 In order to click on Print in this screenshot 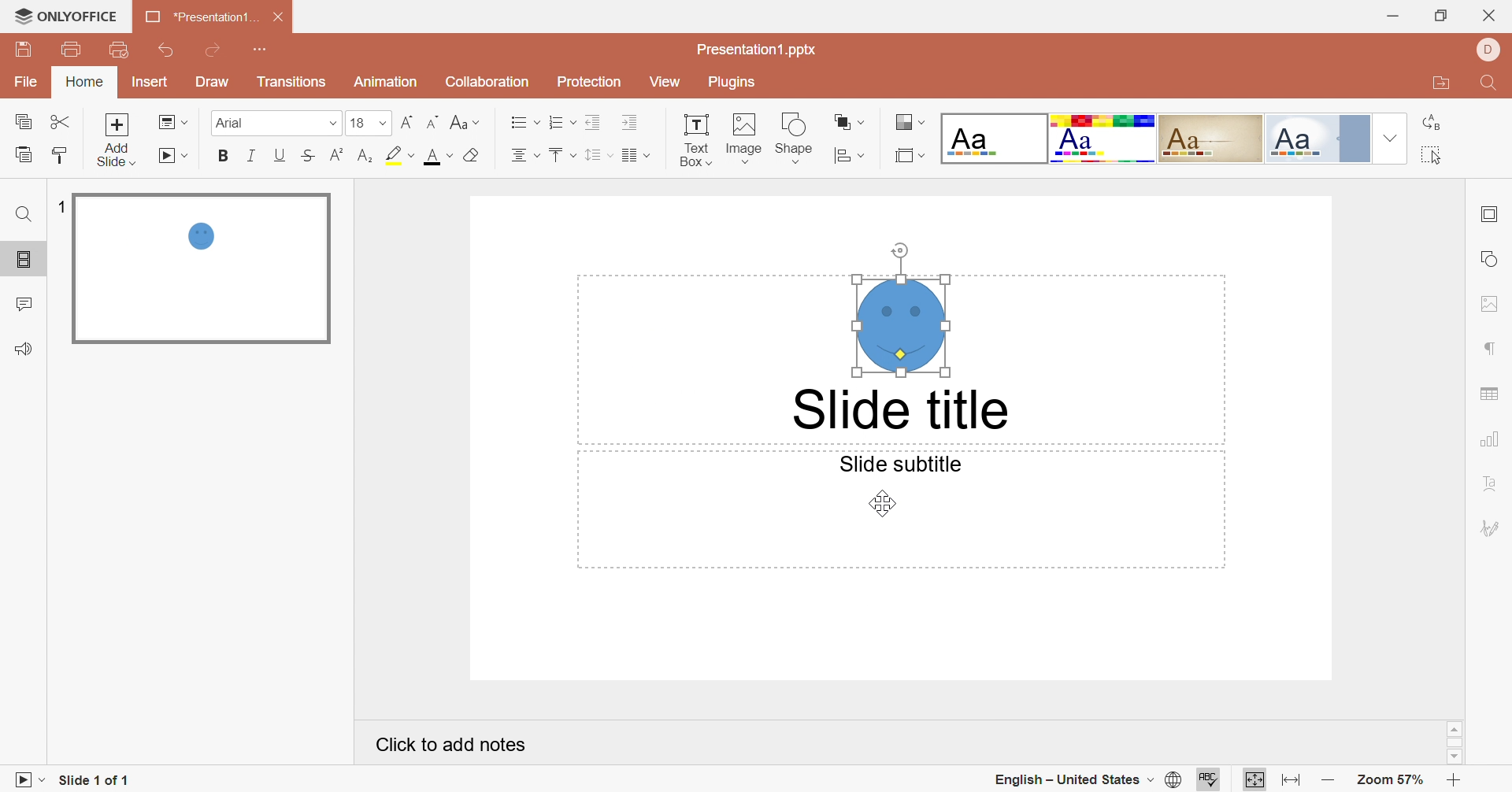, I will do `click(70, 48)`.